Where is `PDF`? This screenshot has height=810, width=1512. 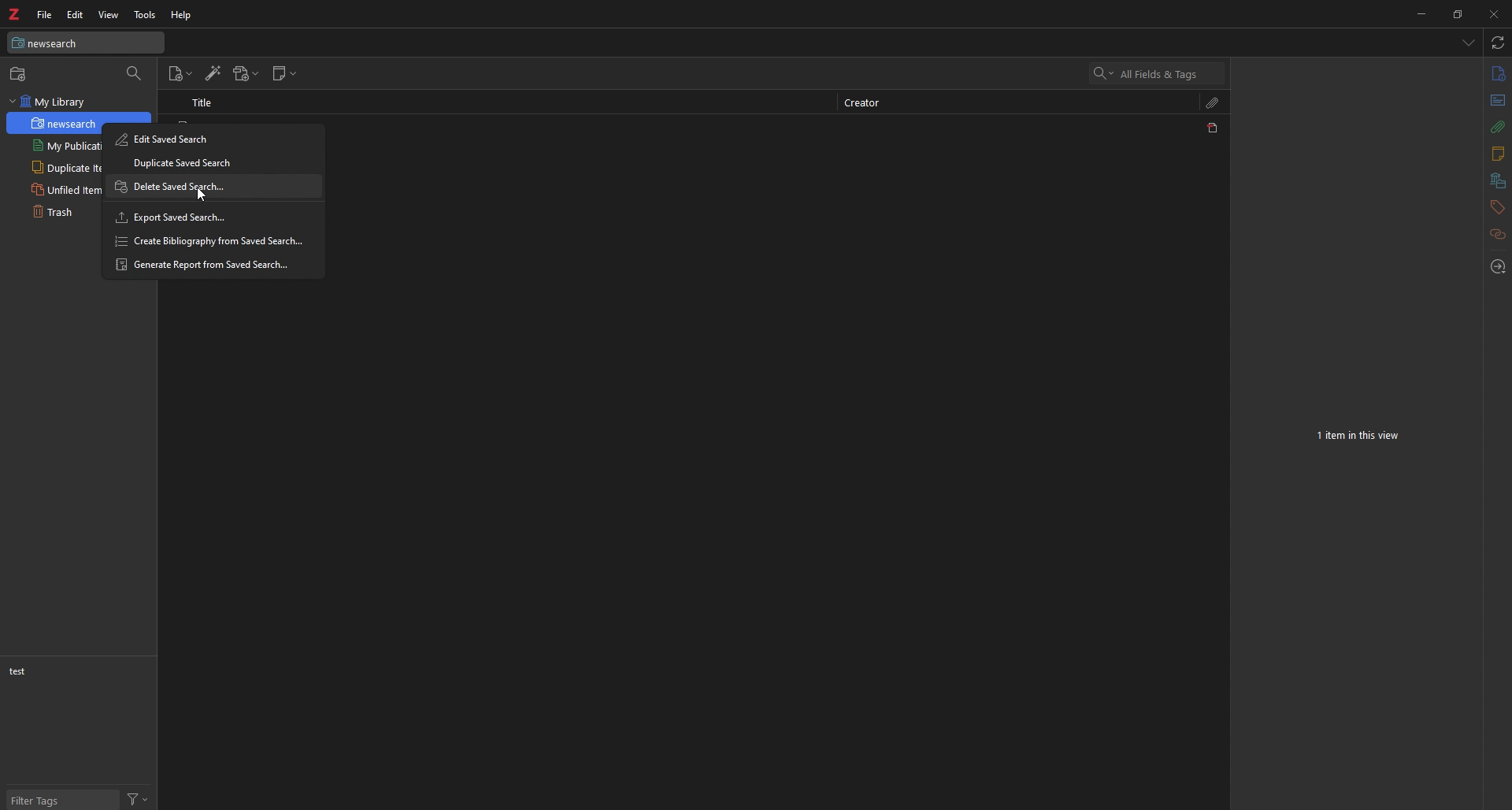
PDF is located at coordinates (1211, 127).